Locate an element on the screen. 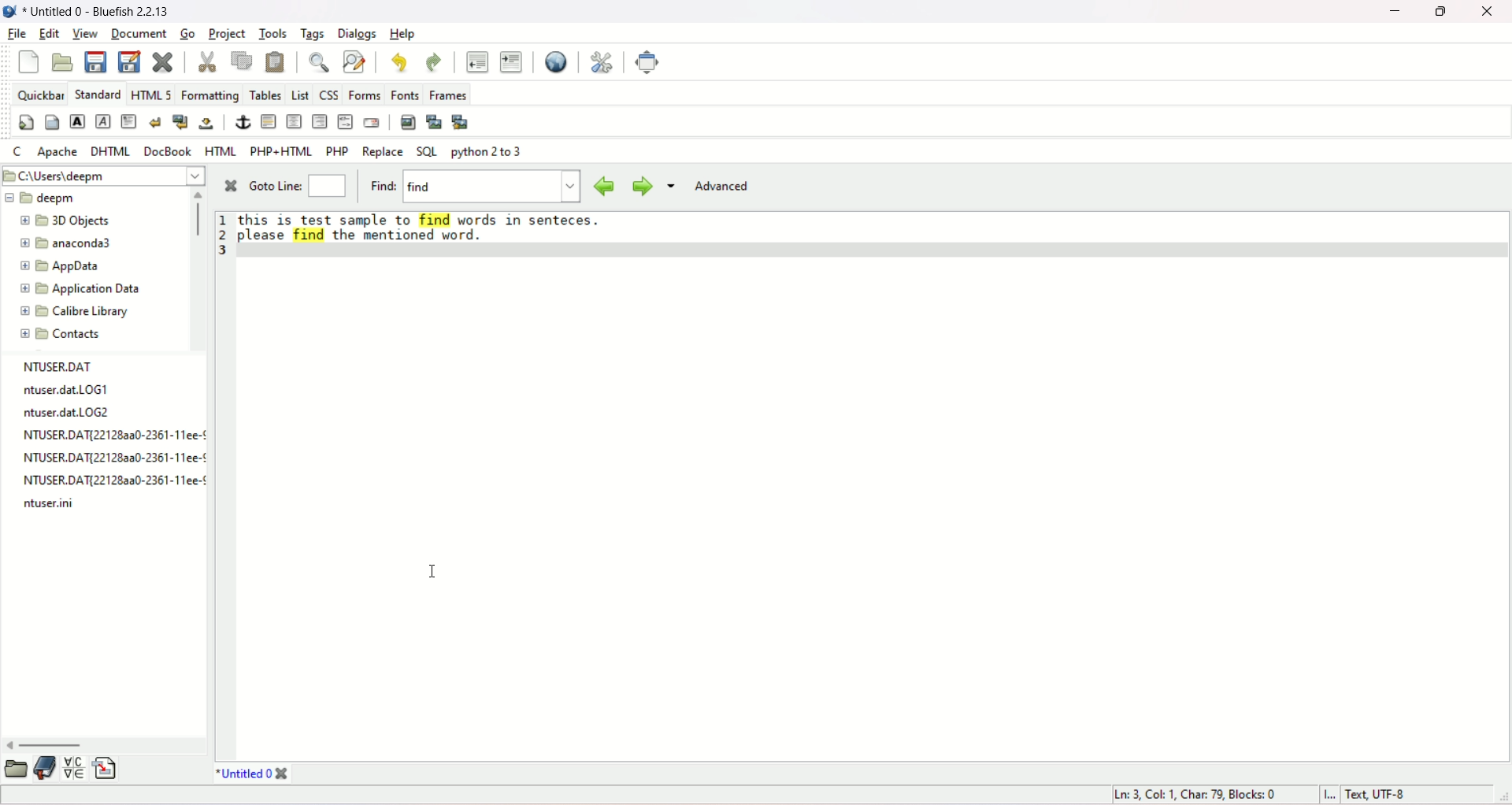  vertical scroll bar is located at coordinates (195, 216).